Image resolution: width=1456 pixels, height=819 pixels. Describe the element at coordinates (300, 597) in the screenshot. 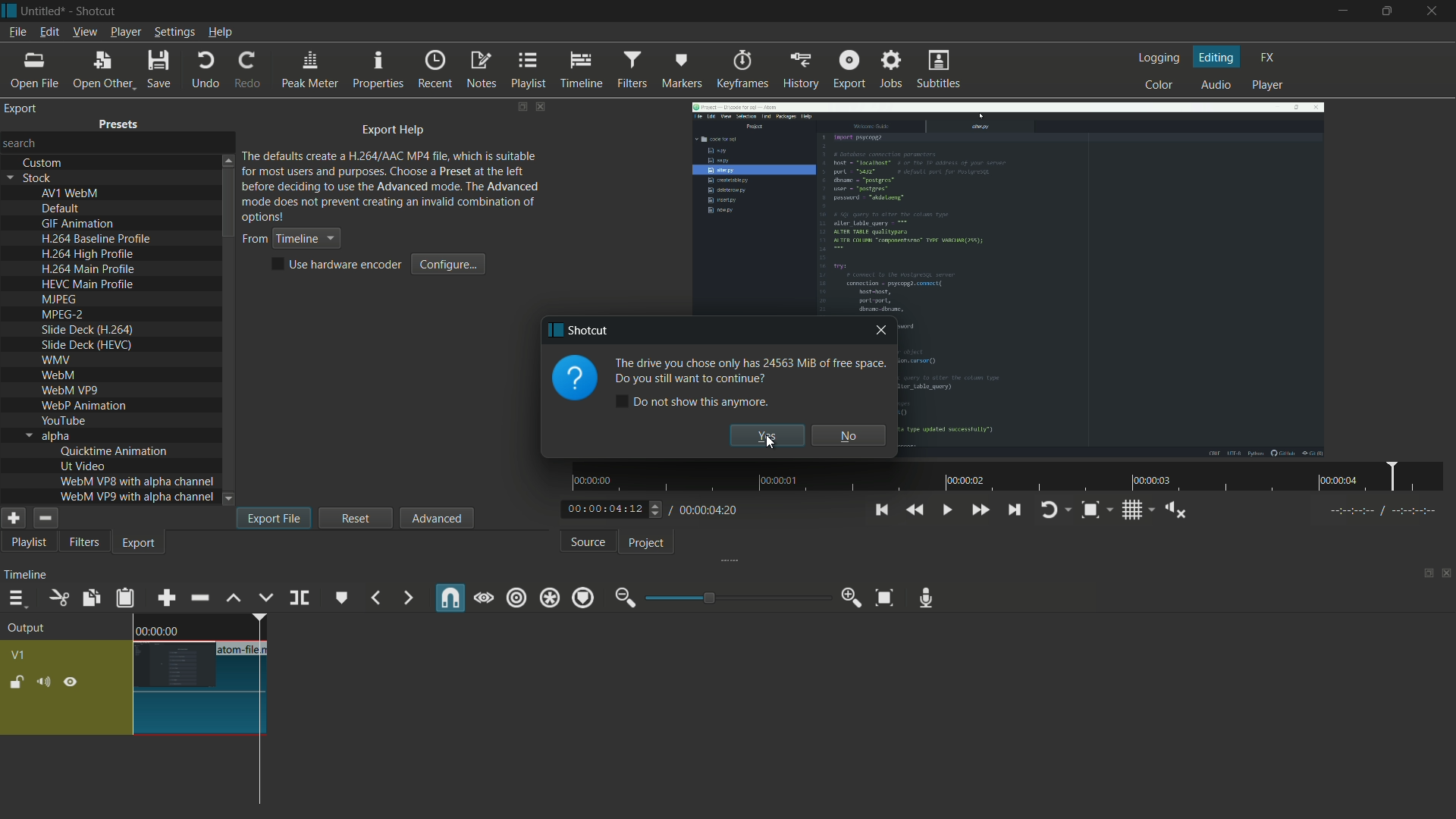

I see `split at playhead` at that location.